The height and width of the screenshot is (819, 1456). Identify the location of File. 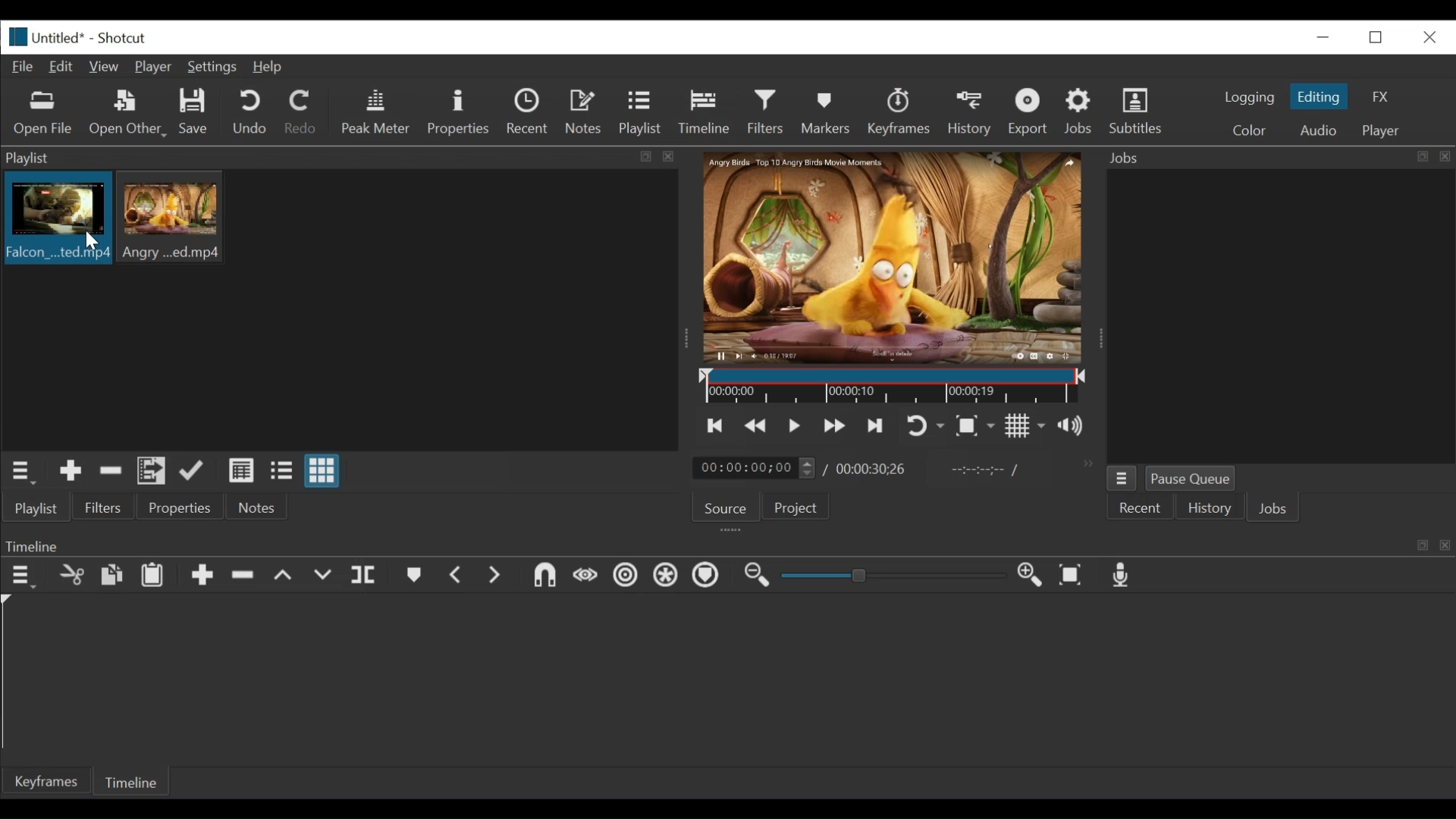
(26, 67).